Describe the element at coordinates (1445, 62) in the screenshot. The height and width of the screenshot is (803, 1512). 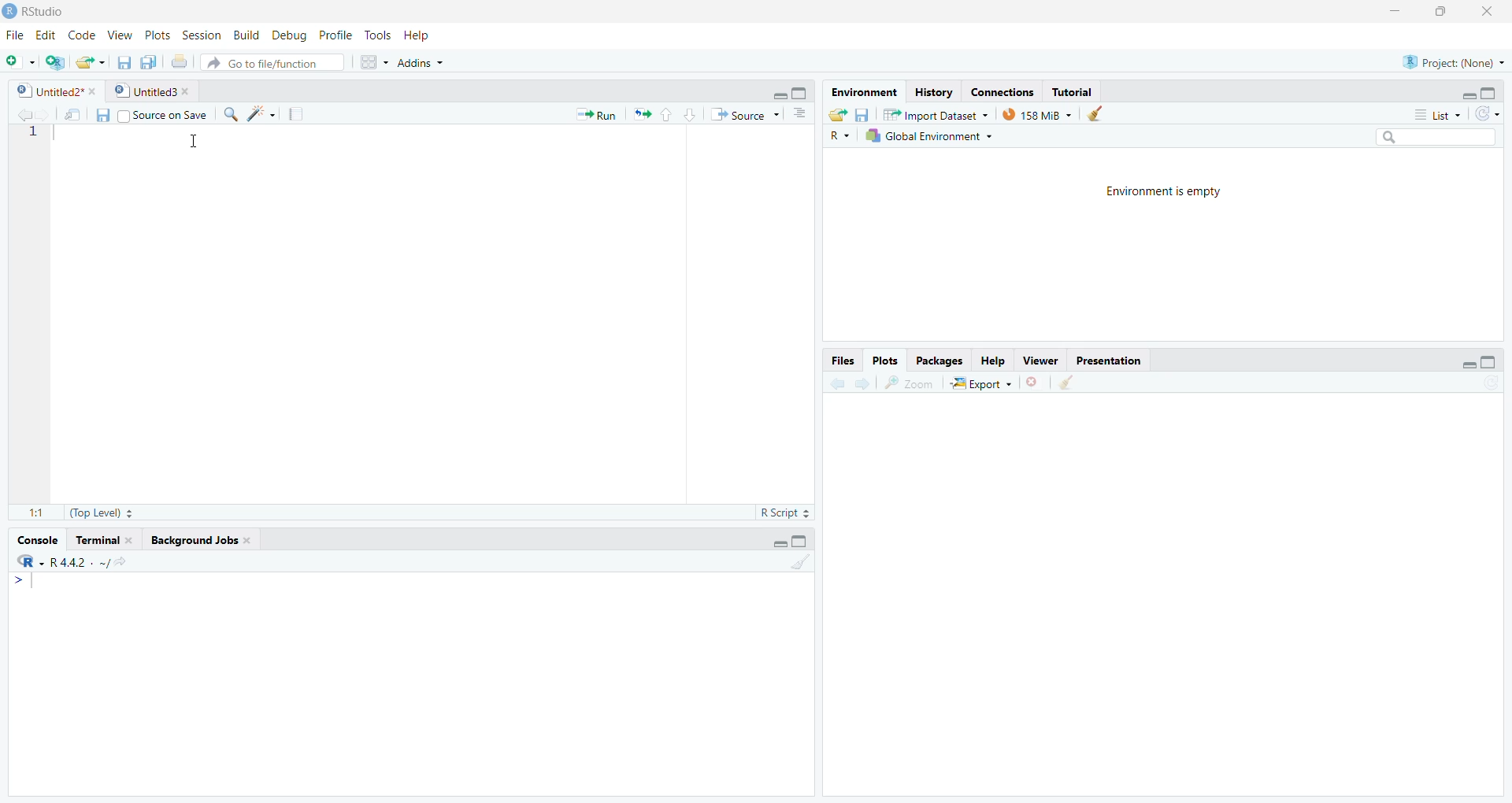
I see `U Project: (None) +` at that location.